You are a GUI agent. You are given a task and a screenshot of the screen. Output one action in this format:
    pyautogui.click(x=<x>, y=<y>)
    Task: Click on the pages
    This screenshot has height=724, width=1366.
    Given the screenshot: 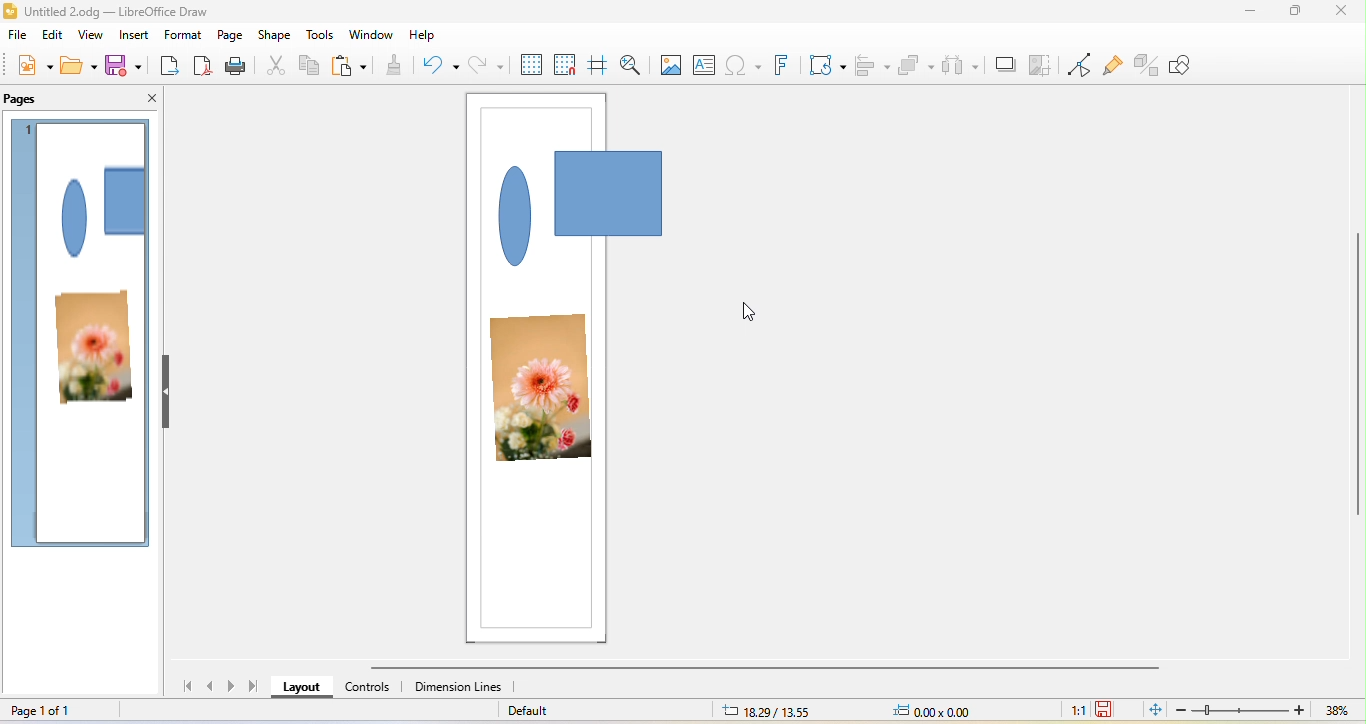 What is the action you would take?
    pyautogui.click(x=35, y=97)
    